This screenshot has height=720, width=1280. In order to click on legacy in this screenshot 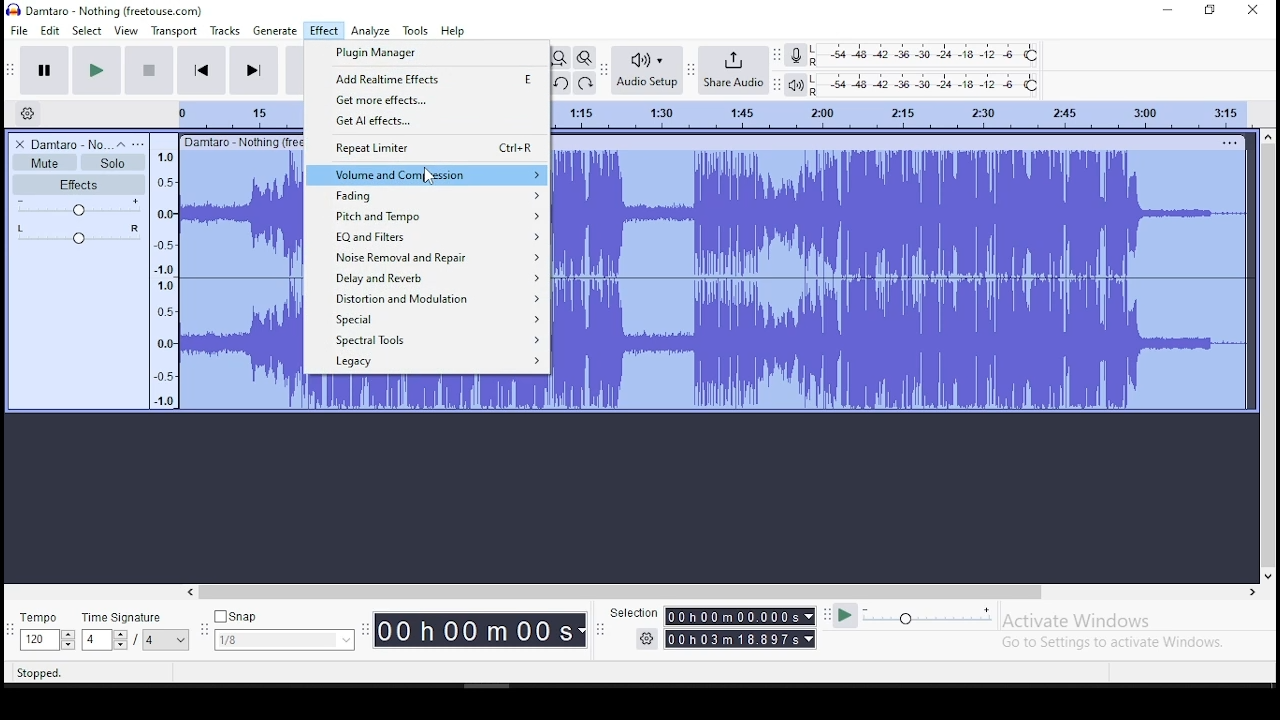, I will do `click(426, 363)`.